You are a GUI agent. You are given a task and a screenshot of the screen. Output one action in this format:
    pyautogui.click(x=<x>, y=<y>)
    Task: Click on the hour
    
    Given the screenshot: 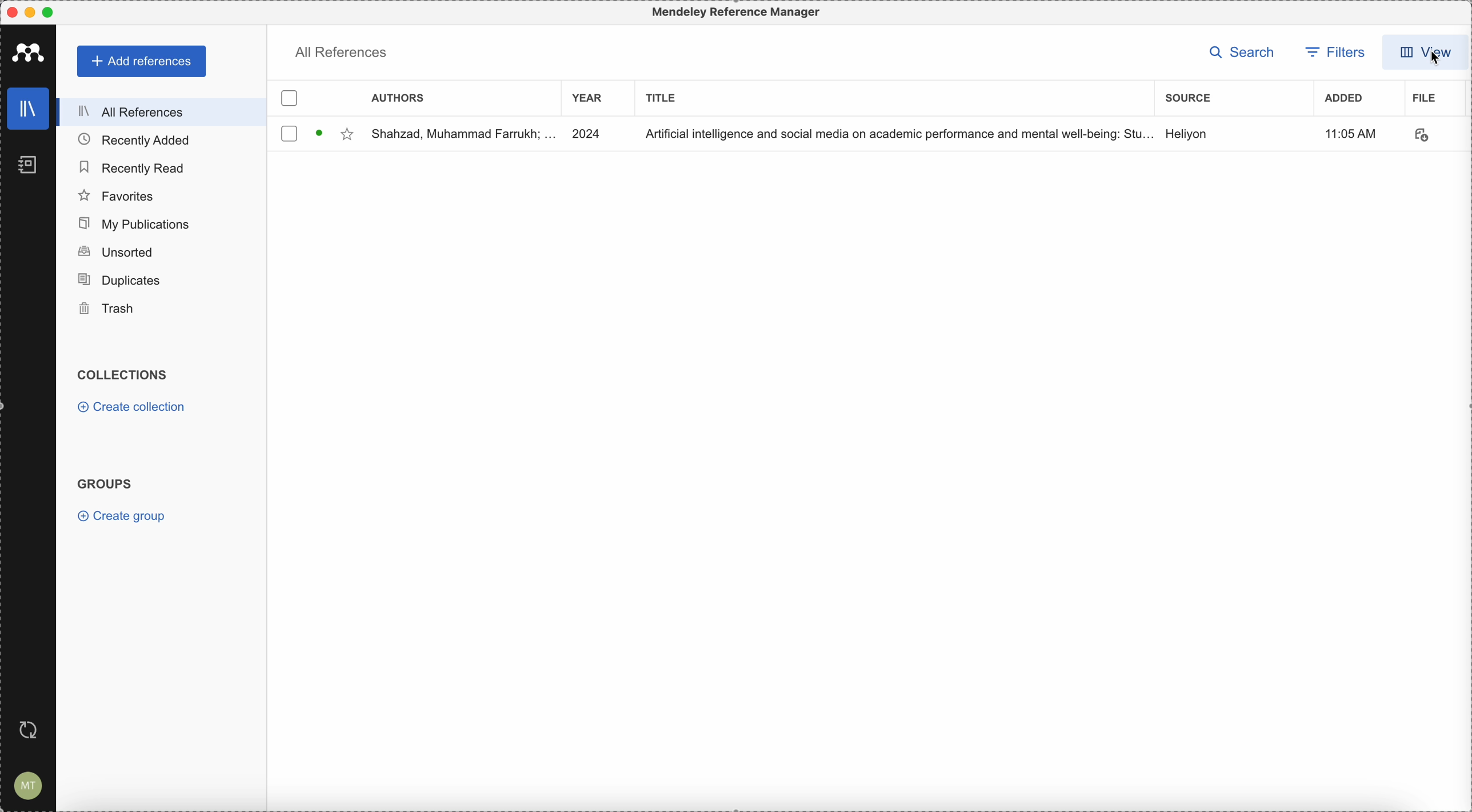 What is the action you would take?
    pyautogui.click(x=1350, y=134)
    